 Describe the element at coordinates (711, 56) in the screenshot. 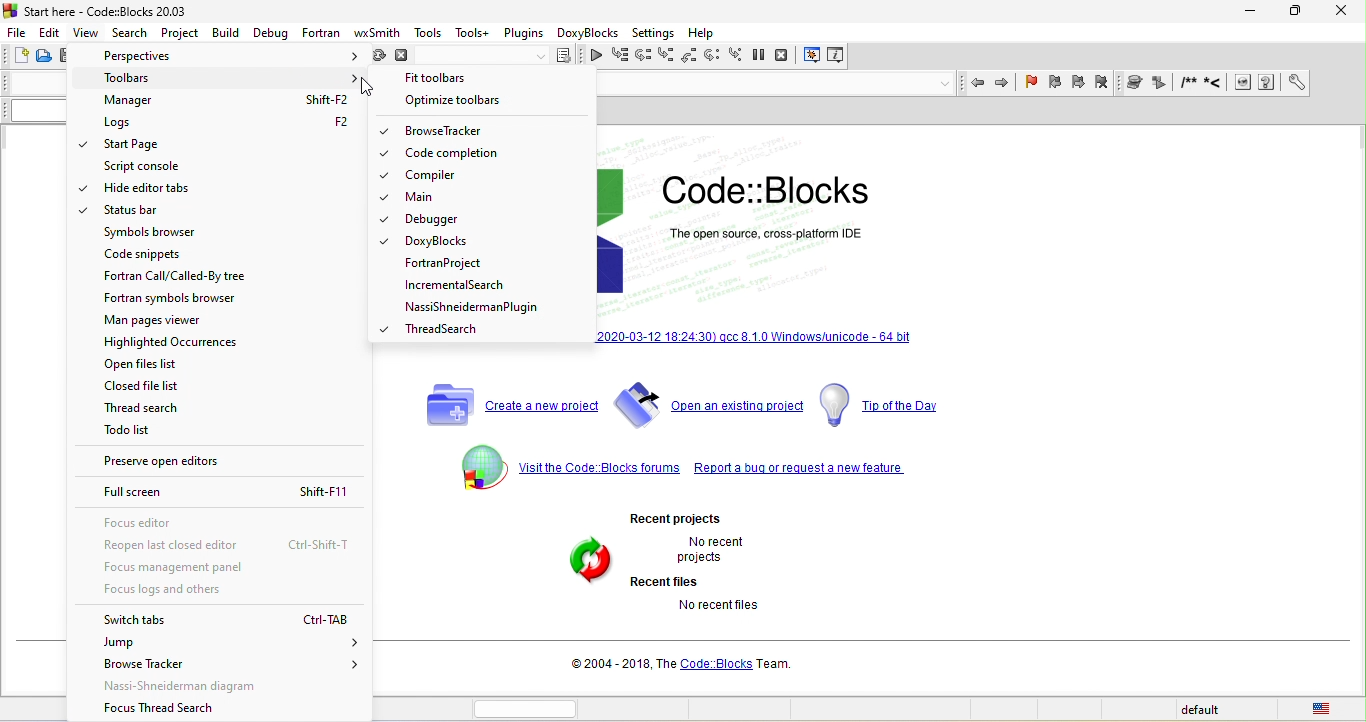

I see `next instruction` at that location.